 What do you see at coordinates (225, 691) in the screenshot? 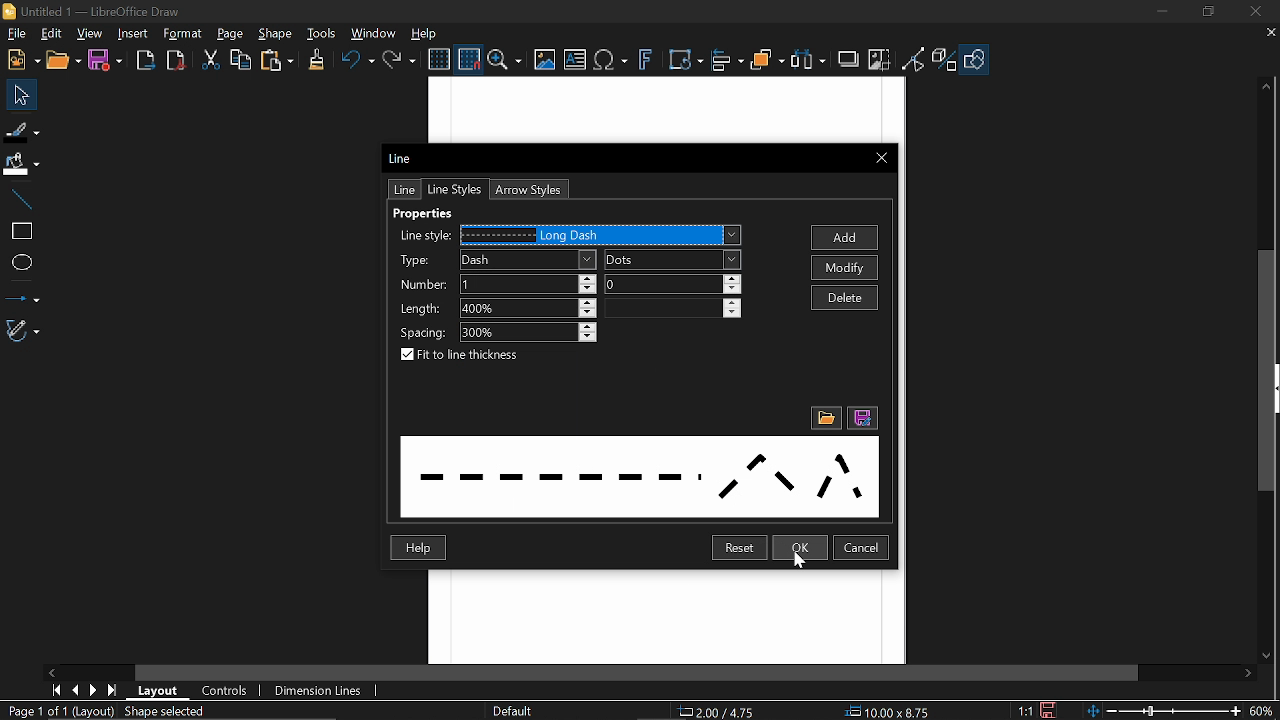
I see `Controls` at bounding box center [225, 691].